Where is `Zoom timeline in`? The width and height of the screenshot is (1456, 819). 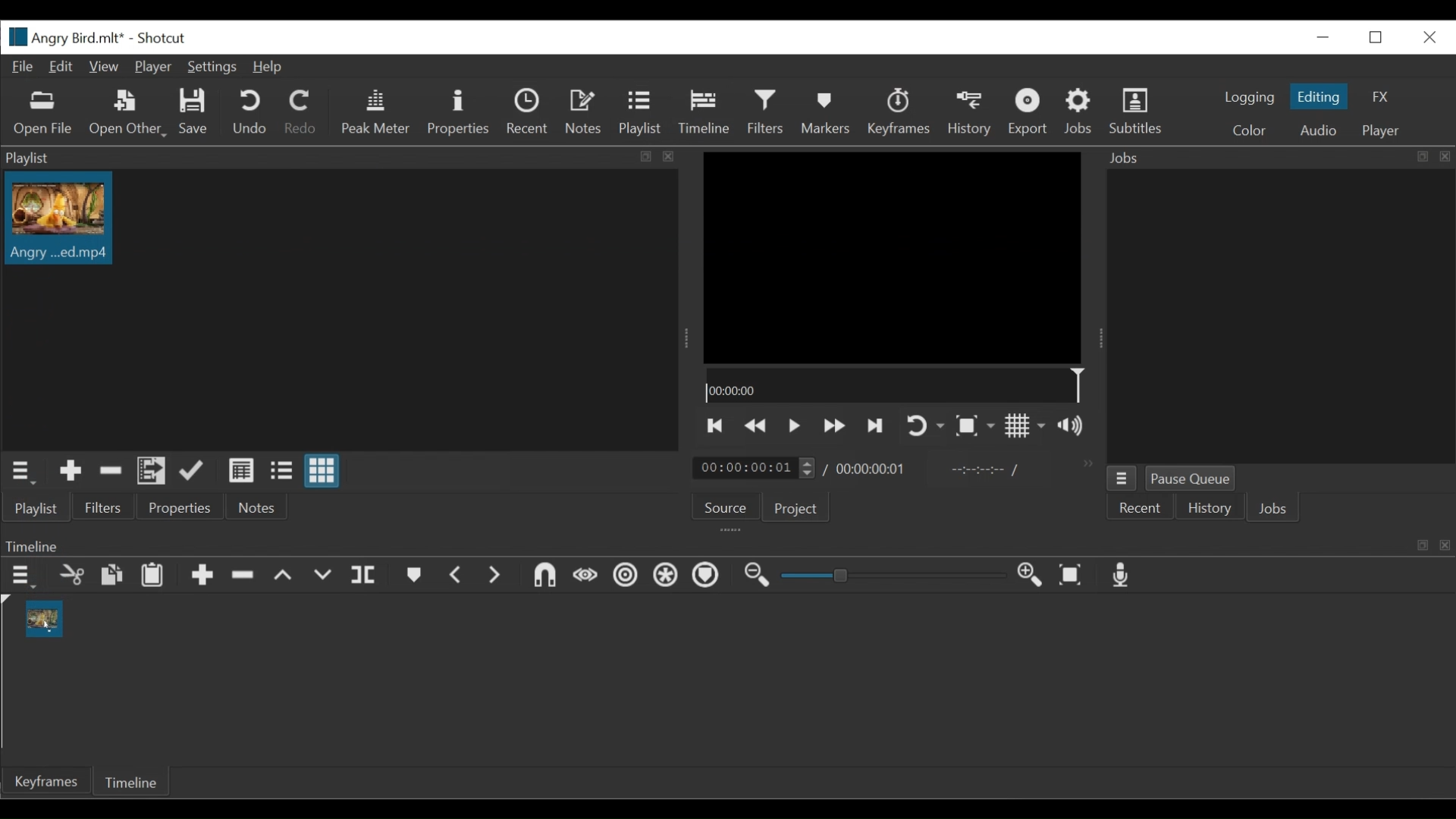
Zoom timeline in is located at coordinates (1032, 577).